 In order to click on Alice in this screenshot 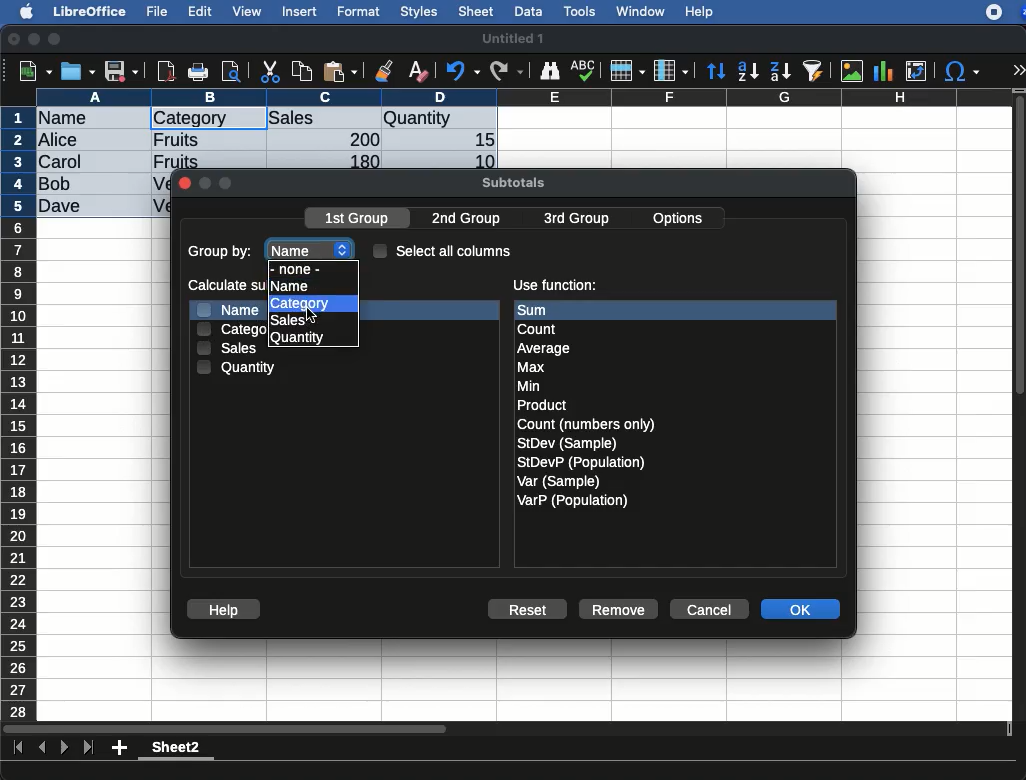, I will do `click(60, 141)`.